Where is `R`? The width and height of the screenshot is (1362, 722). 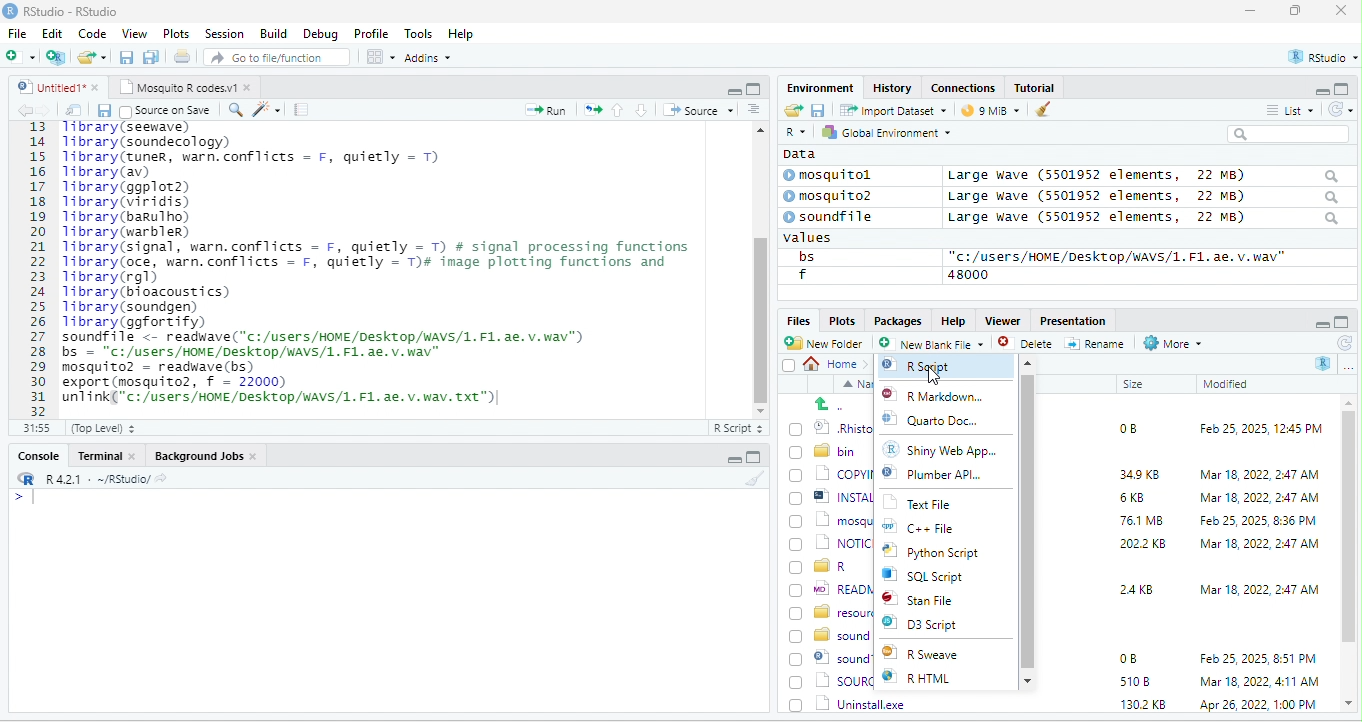
R is located at coordinates (794, 133).